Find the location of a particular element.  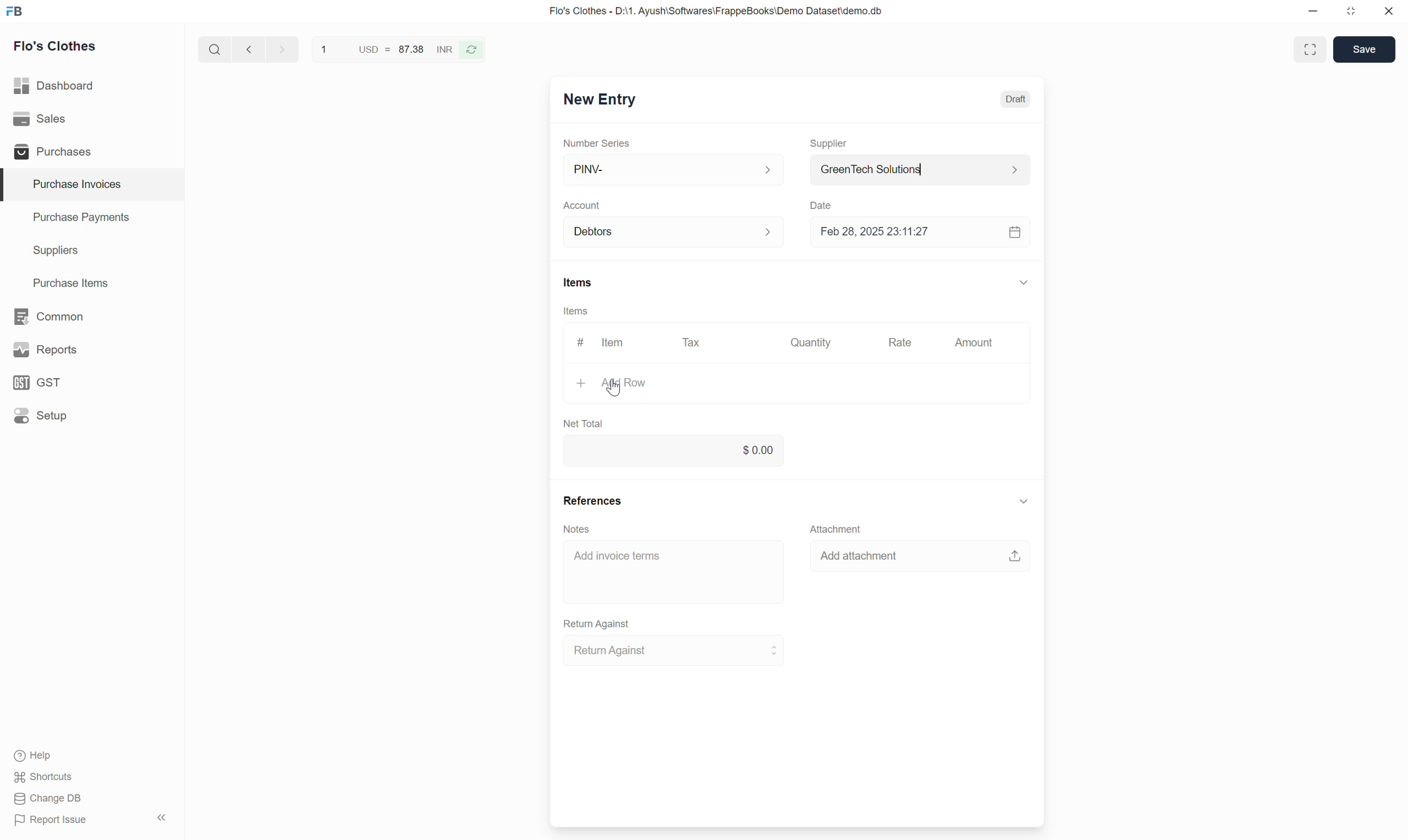

PINV- is located at coordinates (674, 169).